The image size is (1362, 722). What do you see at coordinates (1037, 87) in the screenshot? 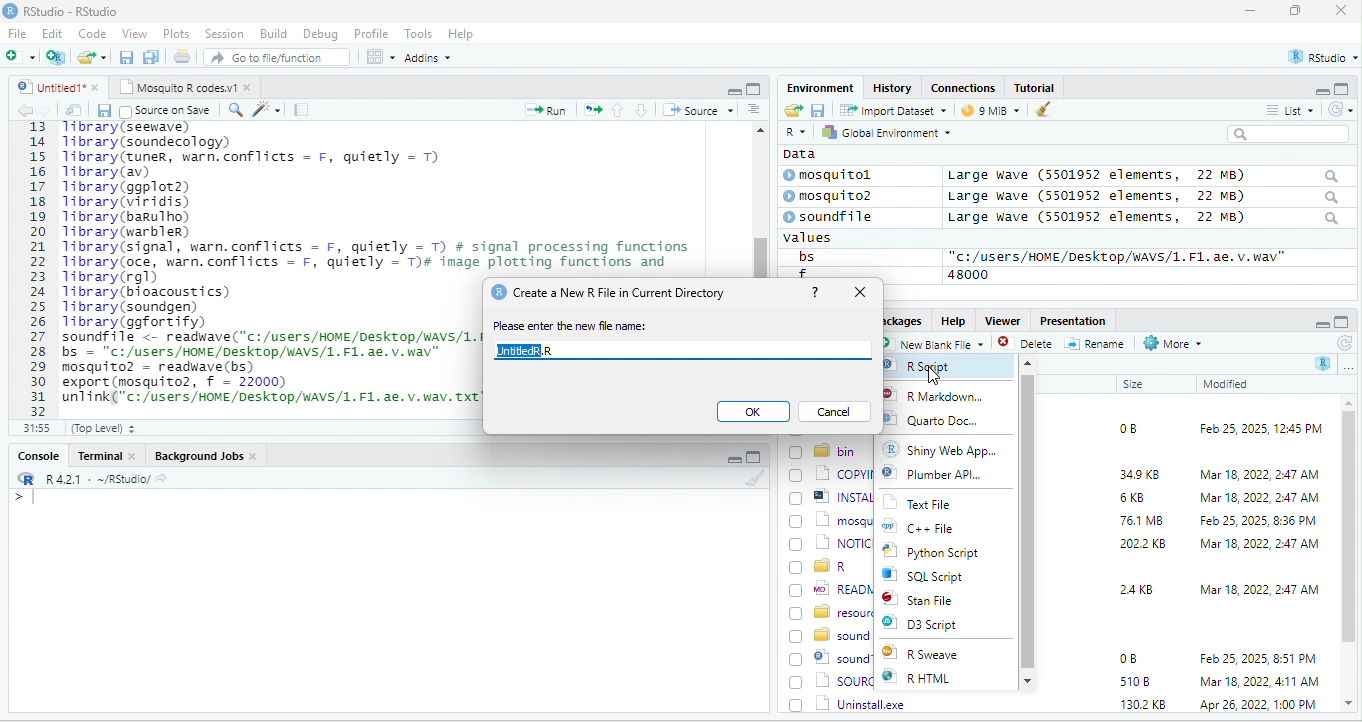
I see `Tutorial` at bounding box center [1037, 87].